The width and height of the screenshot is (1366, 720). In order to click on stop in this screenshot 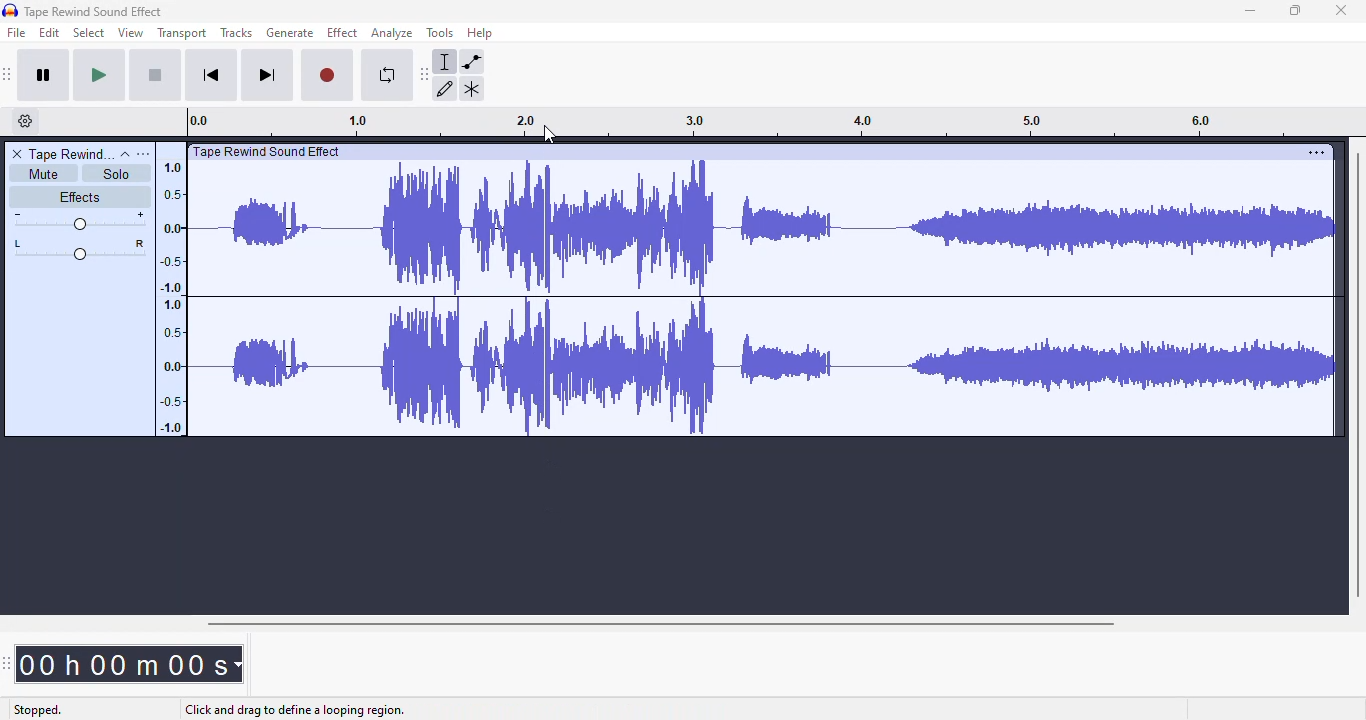, I will do `click(155, 74)`.